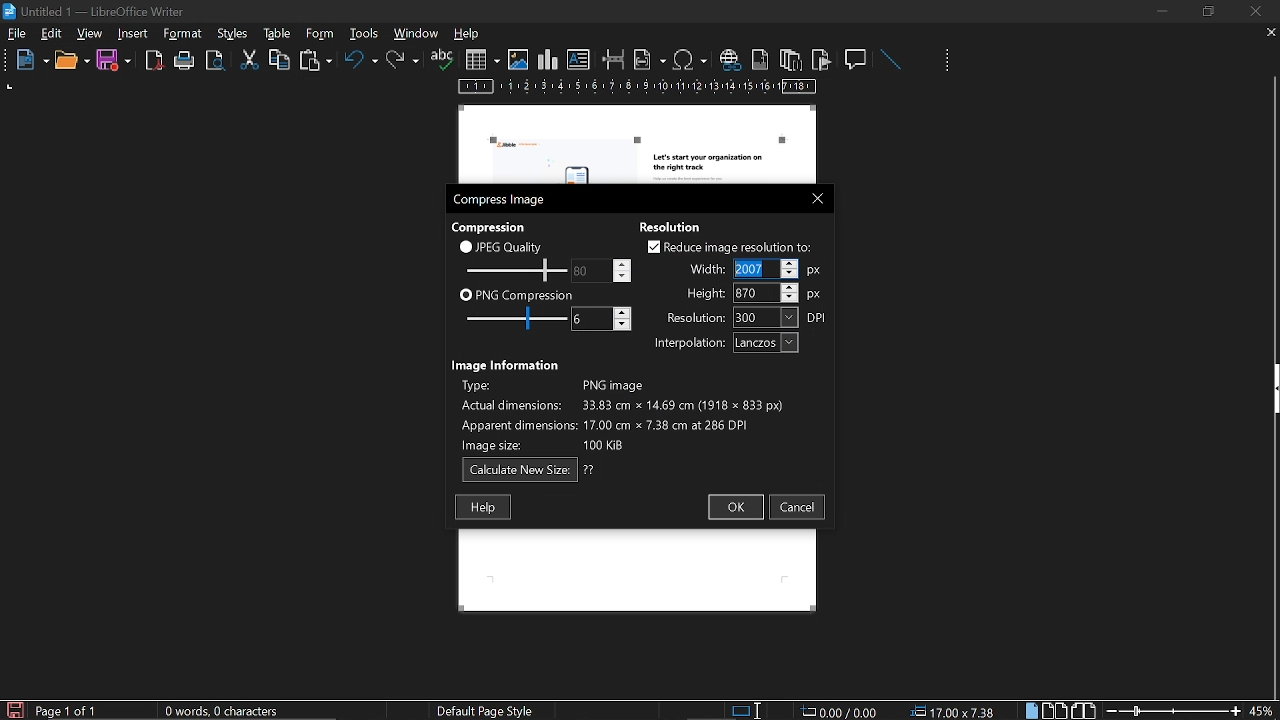  Describe the element at coordinates (231, 32) in the screenshot. I see `format` at that location.